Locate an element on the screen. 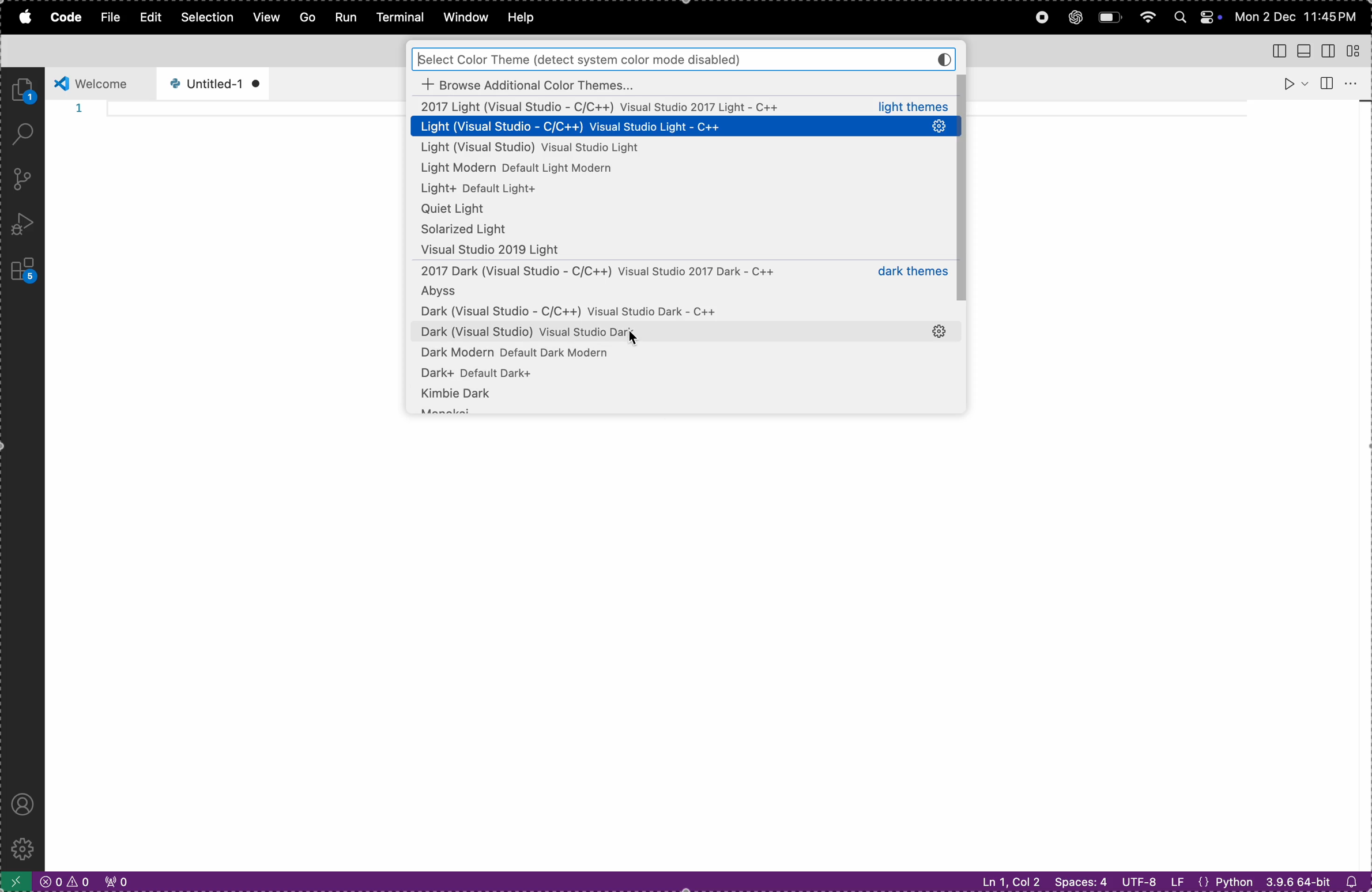  wifi is located at coordinates (1146, 18).